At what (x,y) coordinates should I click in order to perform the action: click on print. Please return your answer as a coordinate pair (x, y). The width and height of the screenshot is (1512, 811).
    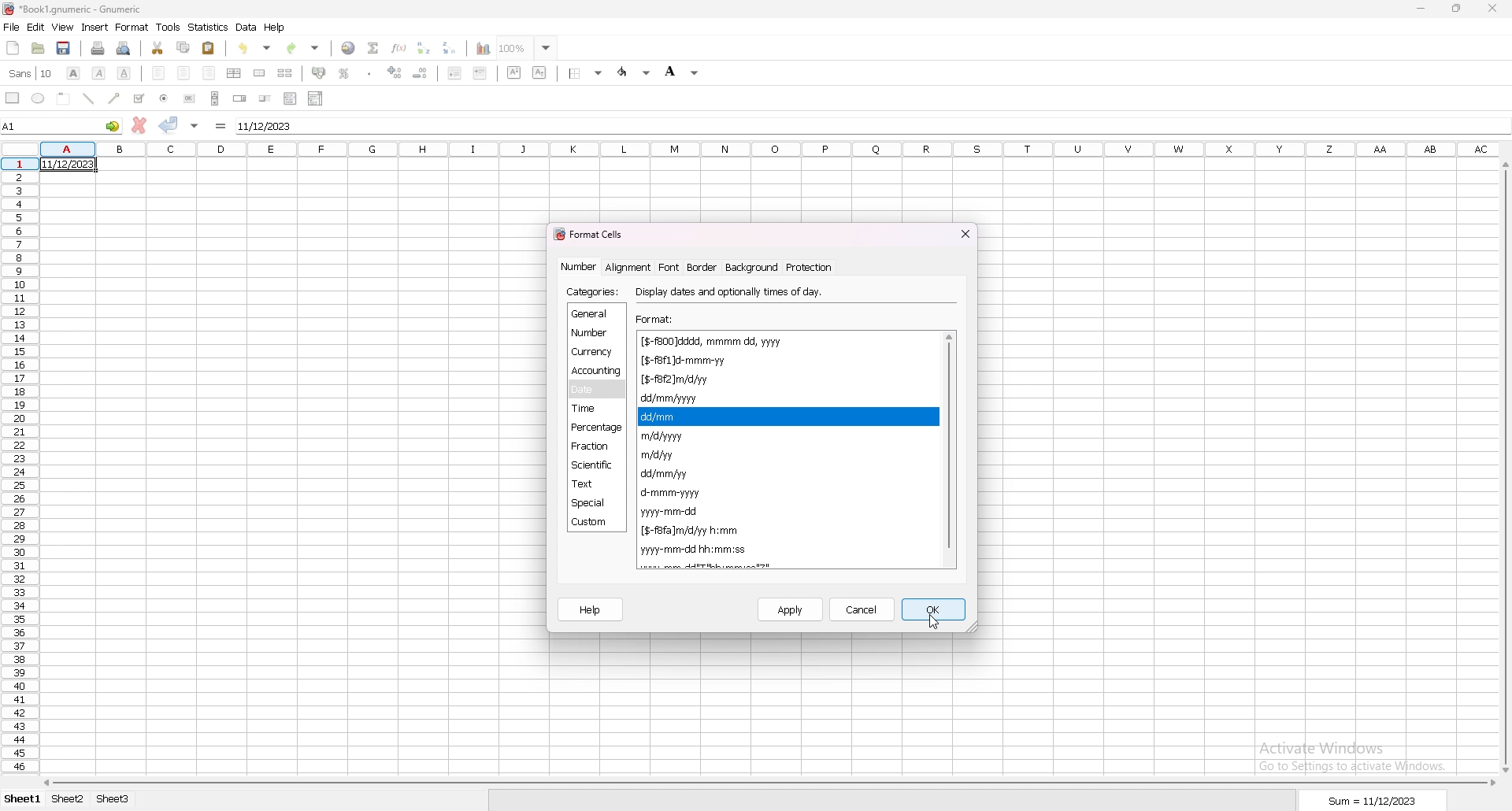
    Looking at the image, I should click on (98, 48).